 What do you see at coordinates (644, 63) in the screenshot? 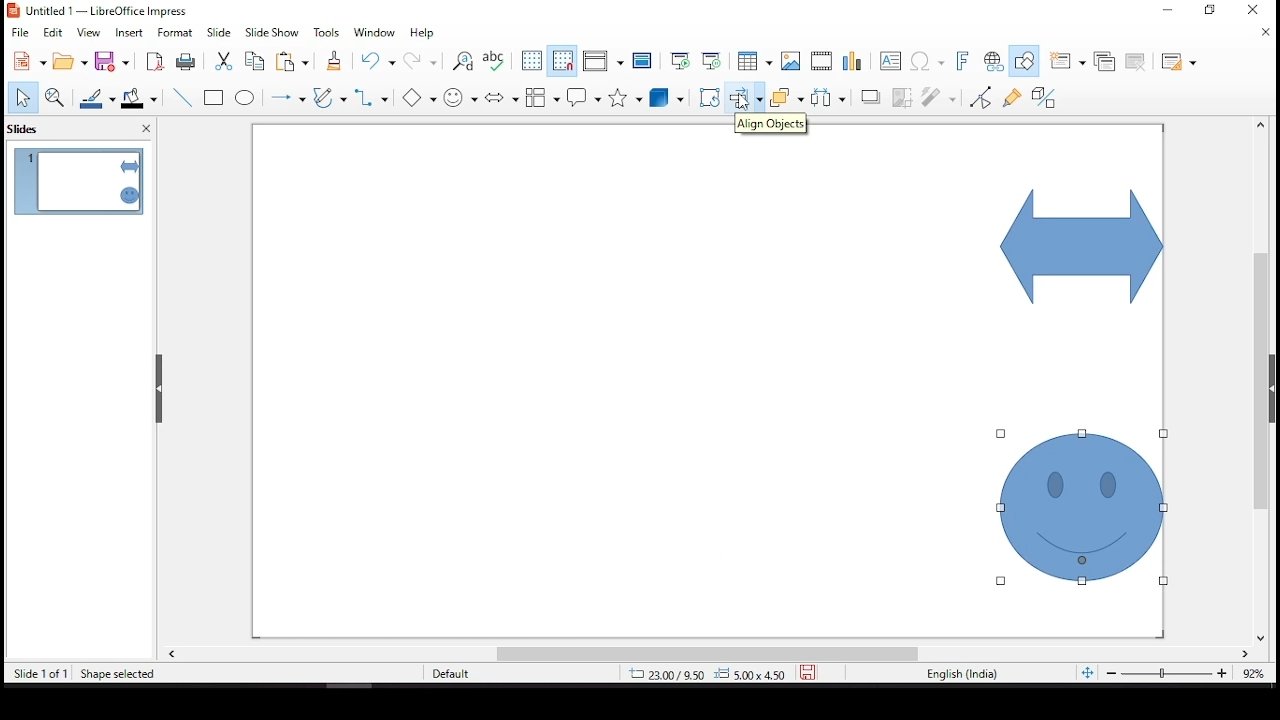
I see `master slide` at bounding box center [644, 63].